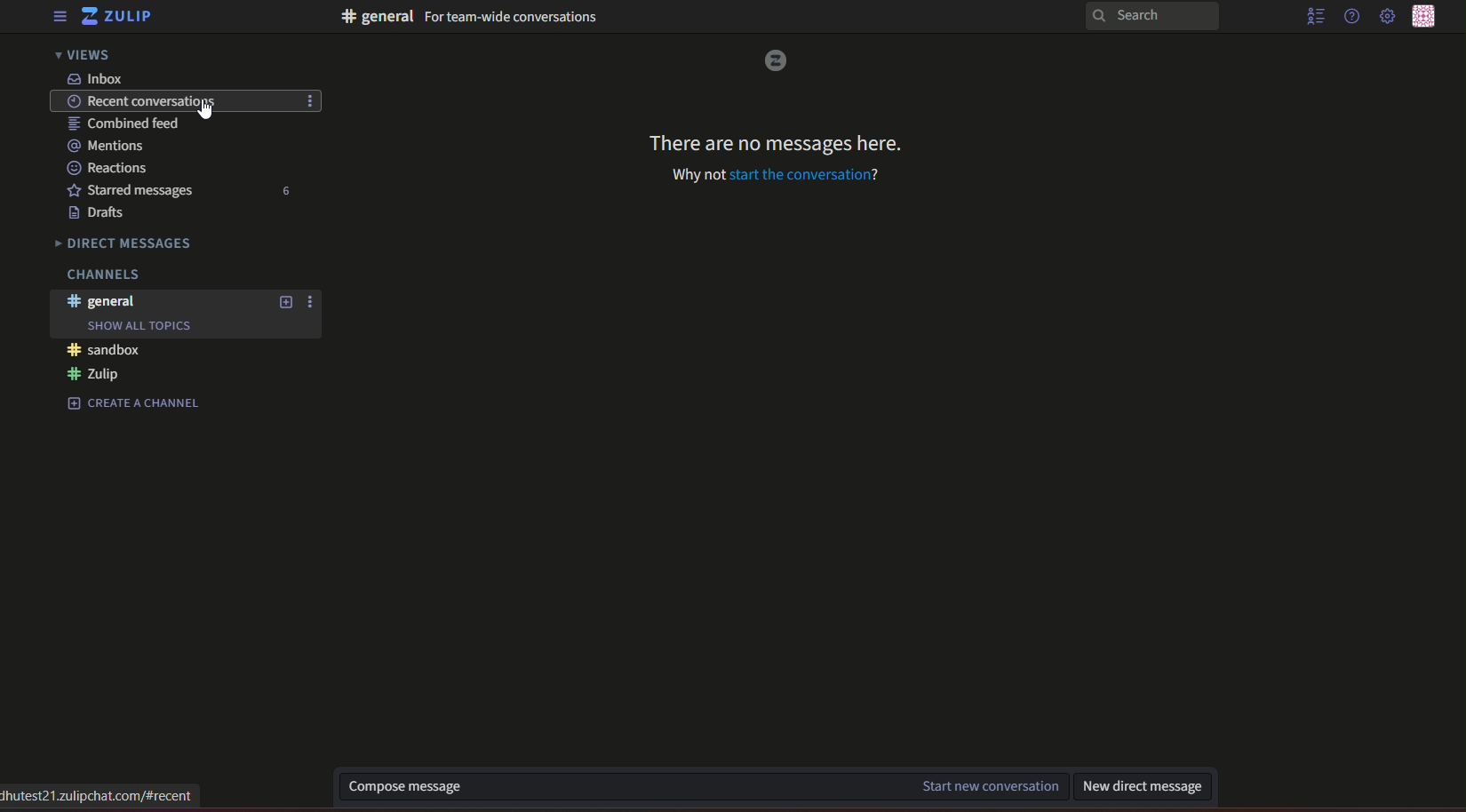 The height and width of the screenshot is (812, 1466). Describe the element at coordinates (404, 787) in the screenshot. I see `compose message` at that location.